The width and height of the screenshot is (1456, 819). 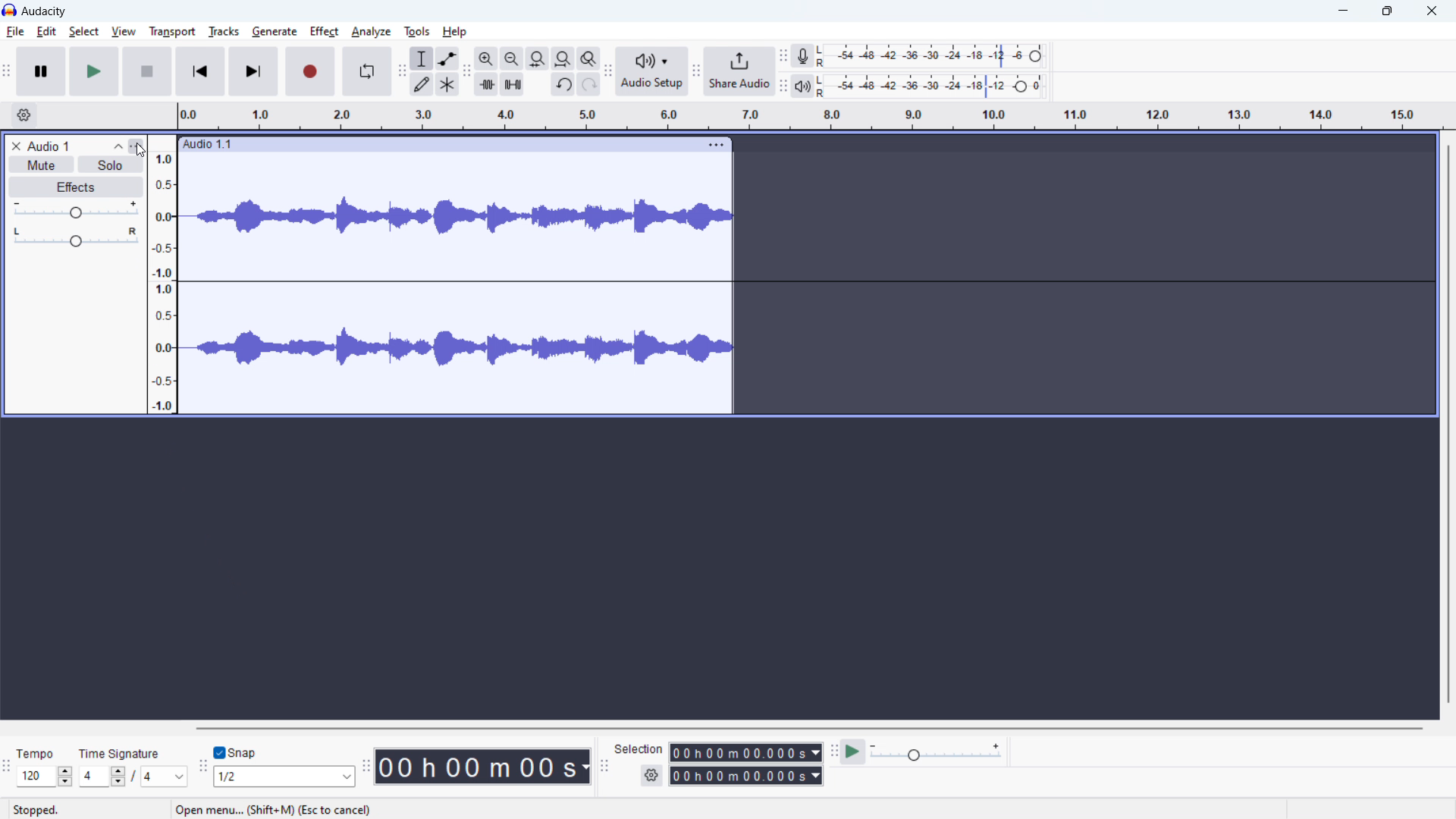 What do you see at coordinates (370, 32) in the screenshot?
I see `analyze` at bounding box center [370, 32].